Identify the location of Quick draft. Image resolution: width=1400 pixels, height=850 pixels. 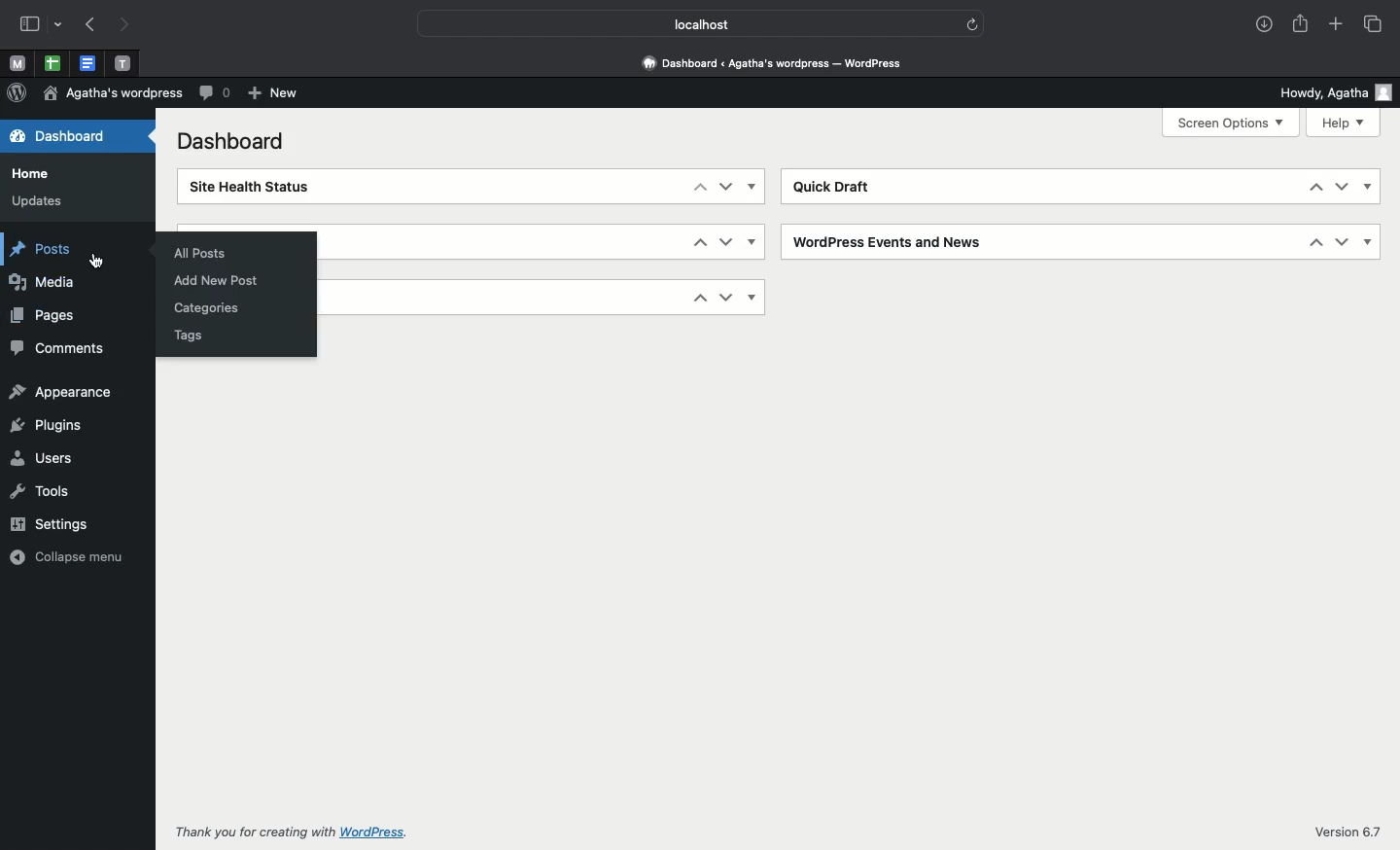
(835, 186).